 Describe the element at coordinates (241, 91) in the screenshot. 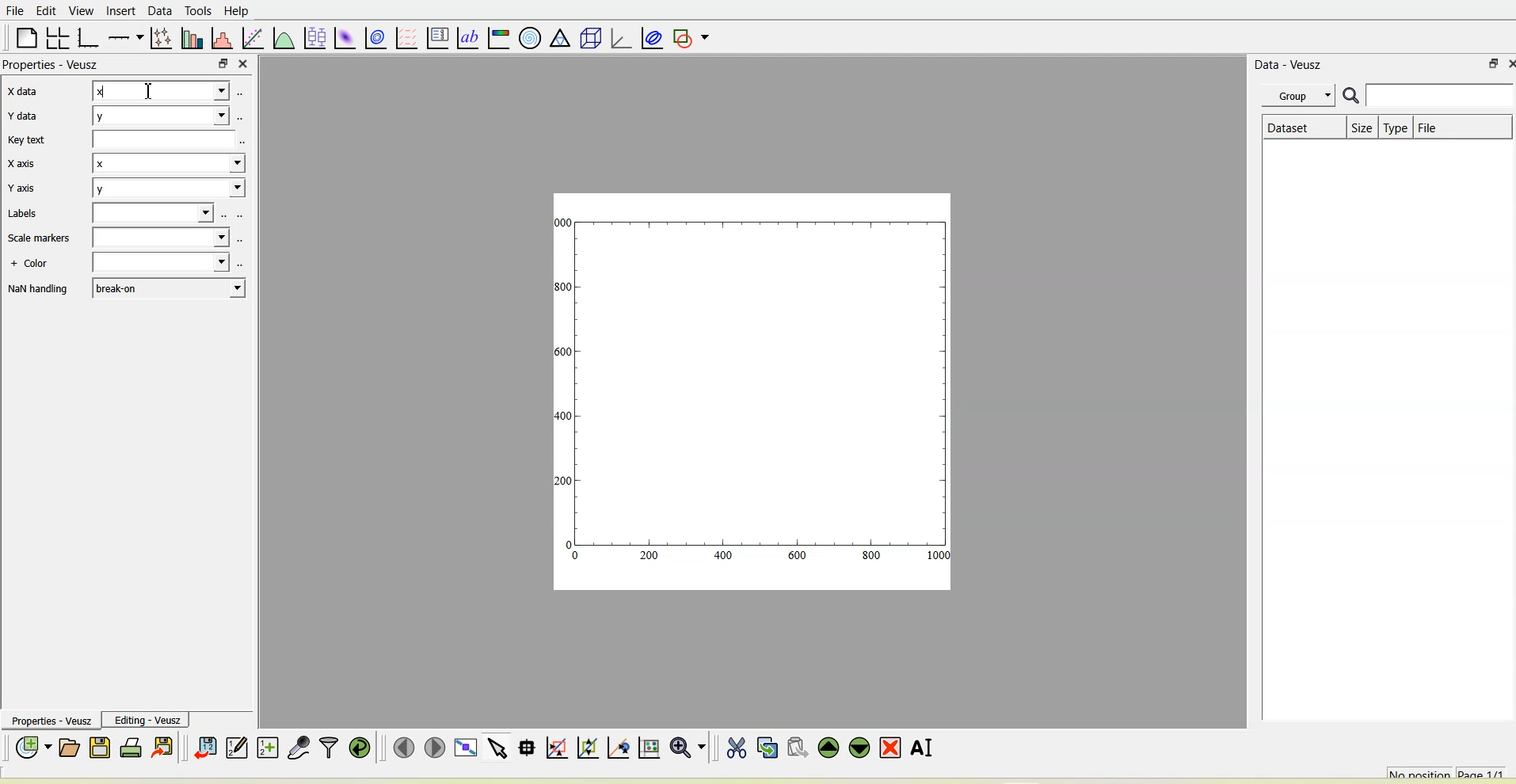

I see `select using dataset browser` at that location.